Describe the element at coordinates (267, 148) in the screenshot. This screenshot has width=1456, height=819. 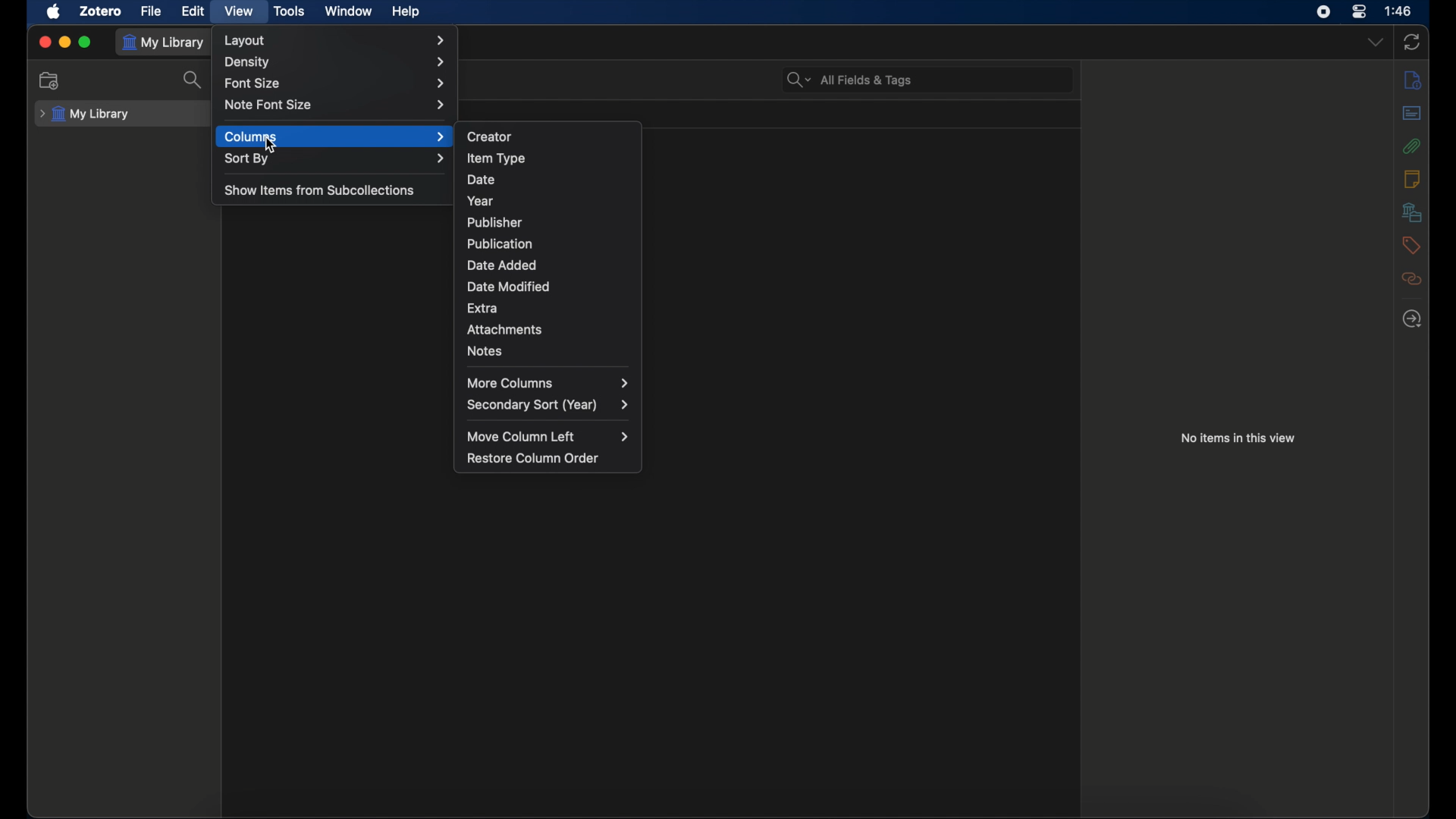
I see `Cursor` at that location.